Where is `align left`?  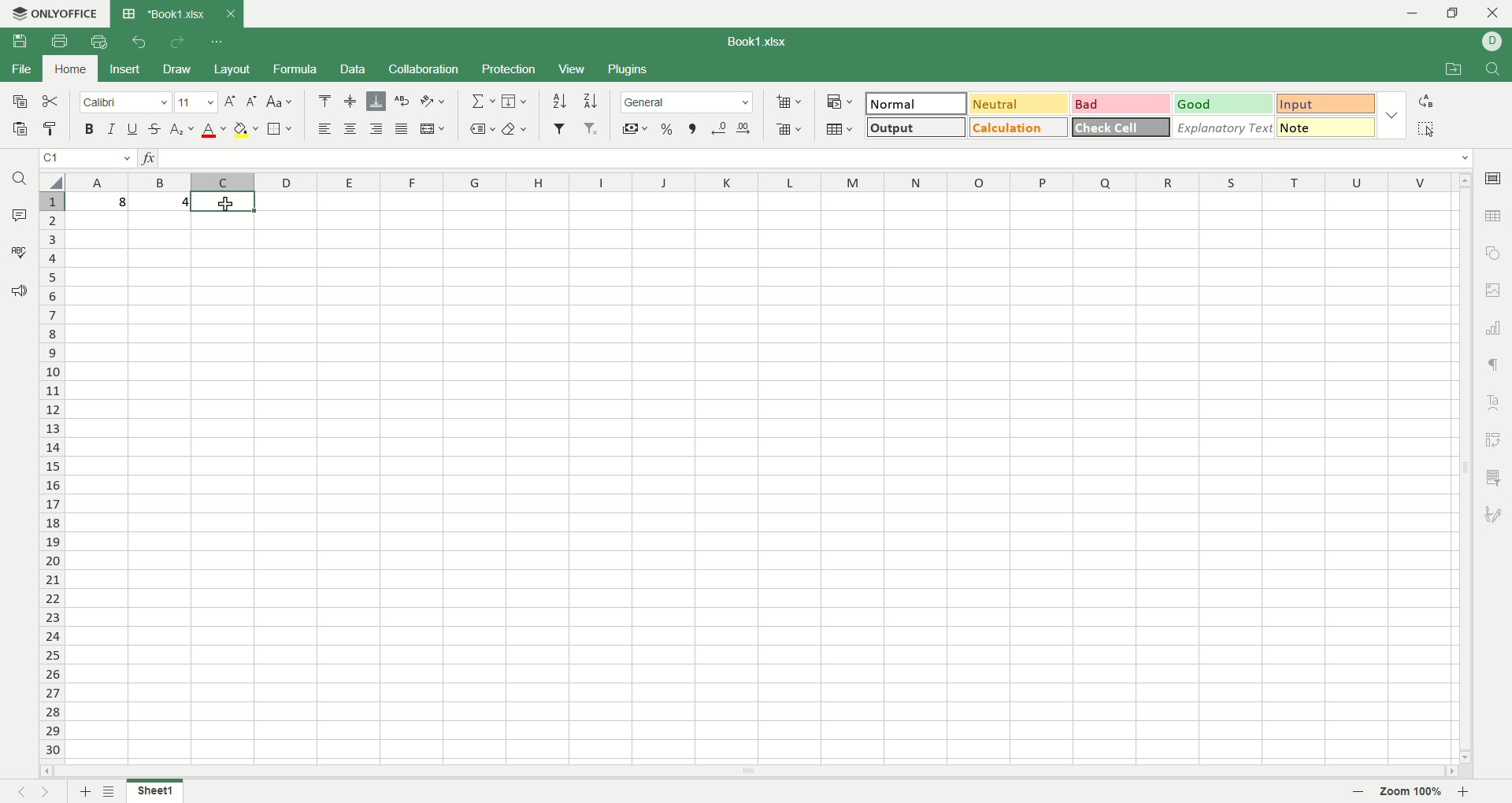 align left is located at coordinates (326, 128).